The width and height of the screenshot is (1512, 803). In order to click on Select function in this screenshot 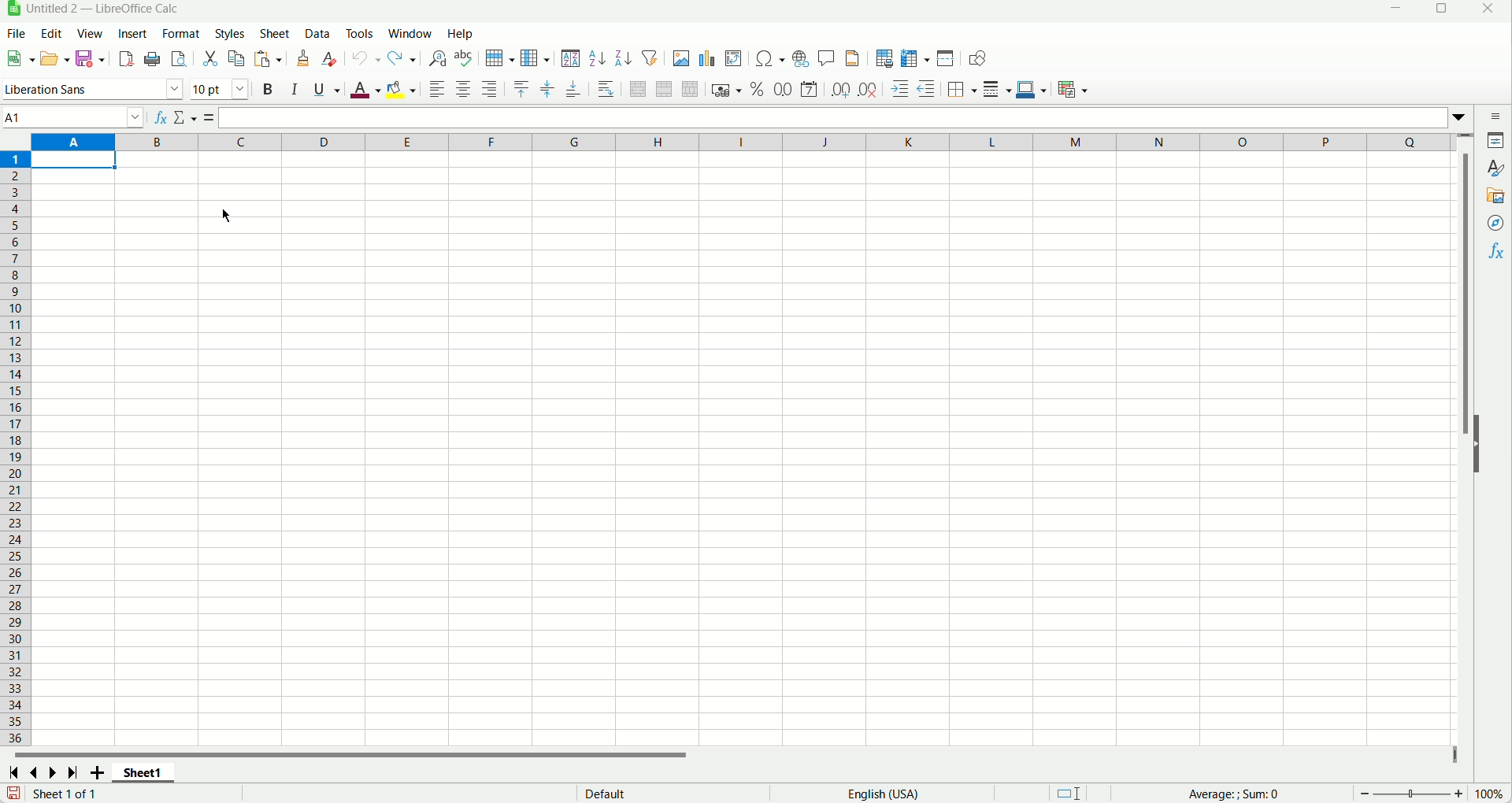, I will do `click(187, 119)`.